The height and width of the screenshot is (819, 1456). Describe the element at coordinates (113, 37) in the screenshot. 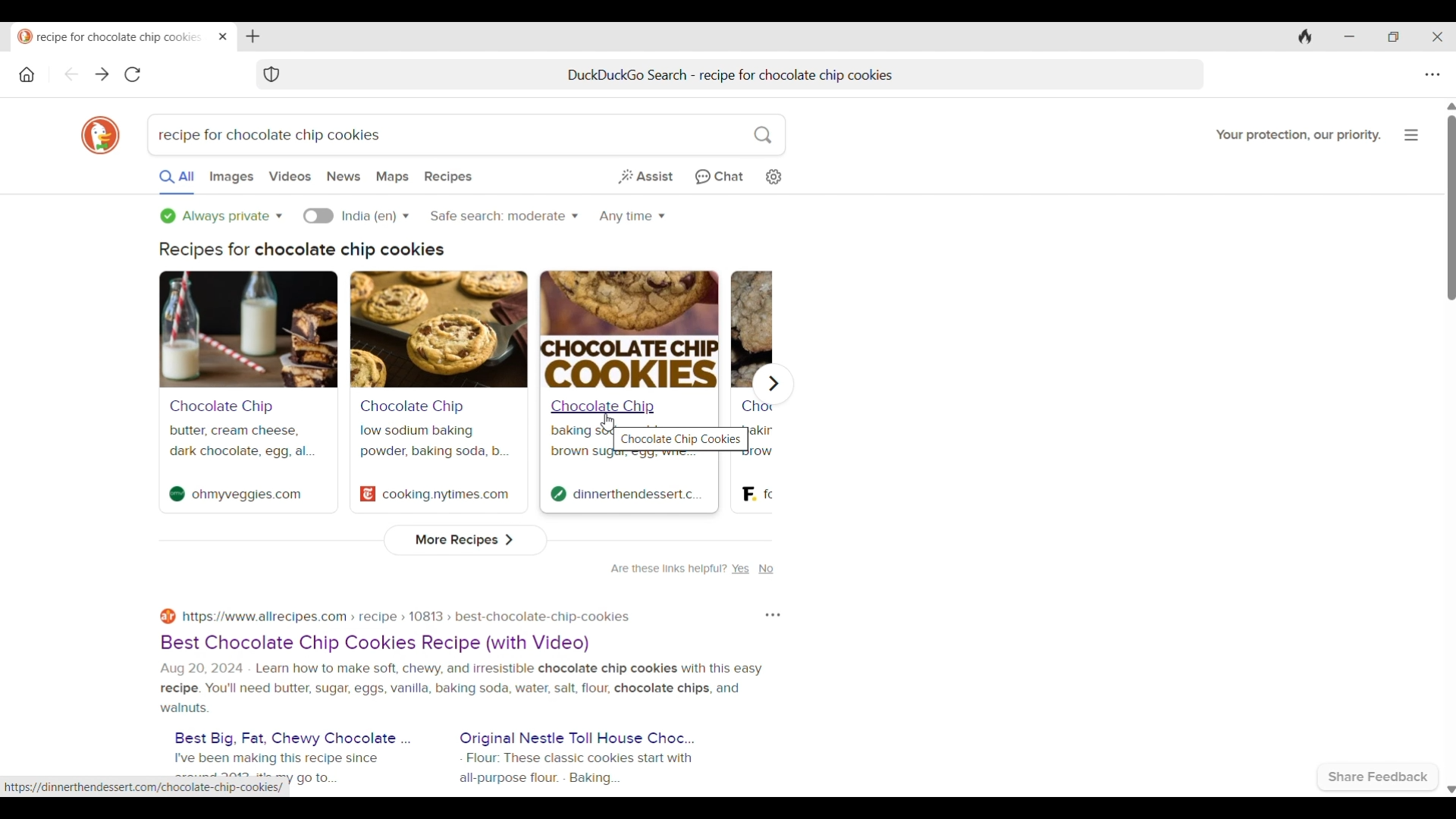

I see `recipe for chocolate chip cookies` at that location.